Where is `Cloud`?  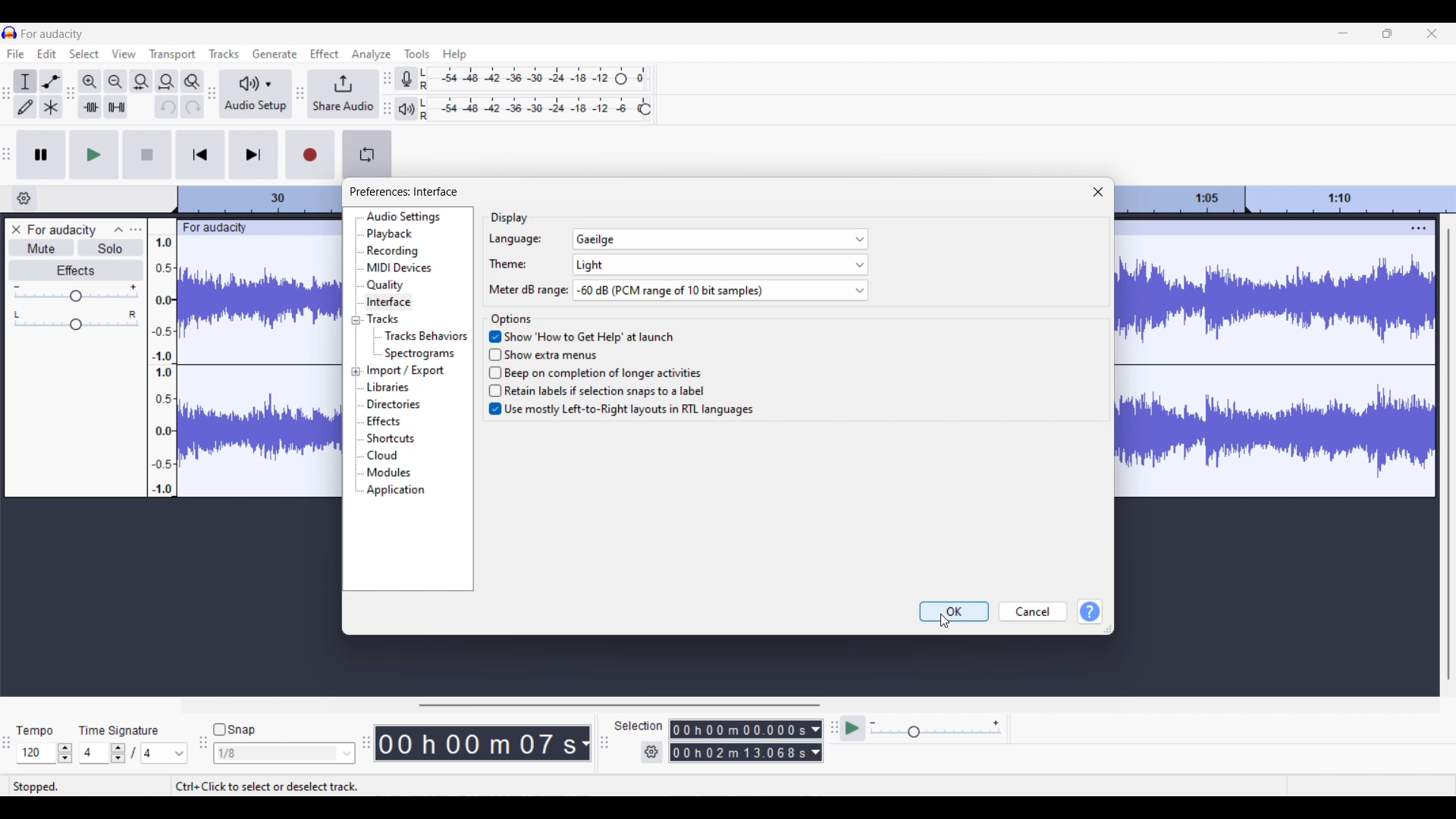 Cloud is located at coordinates (383, 455).